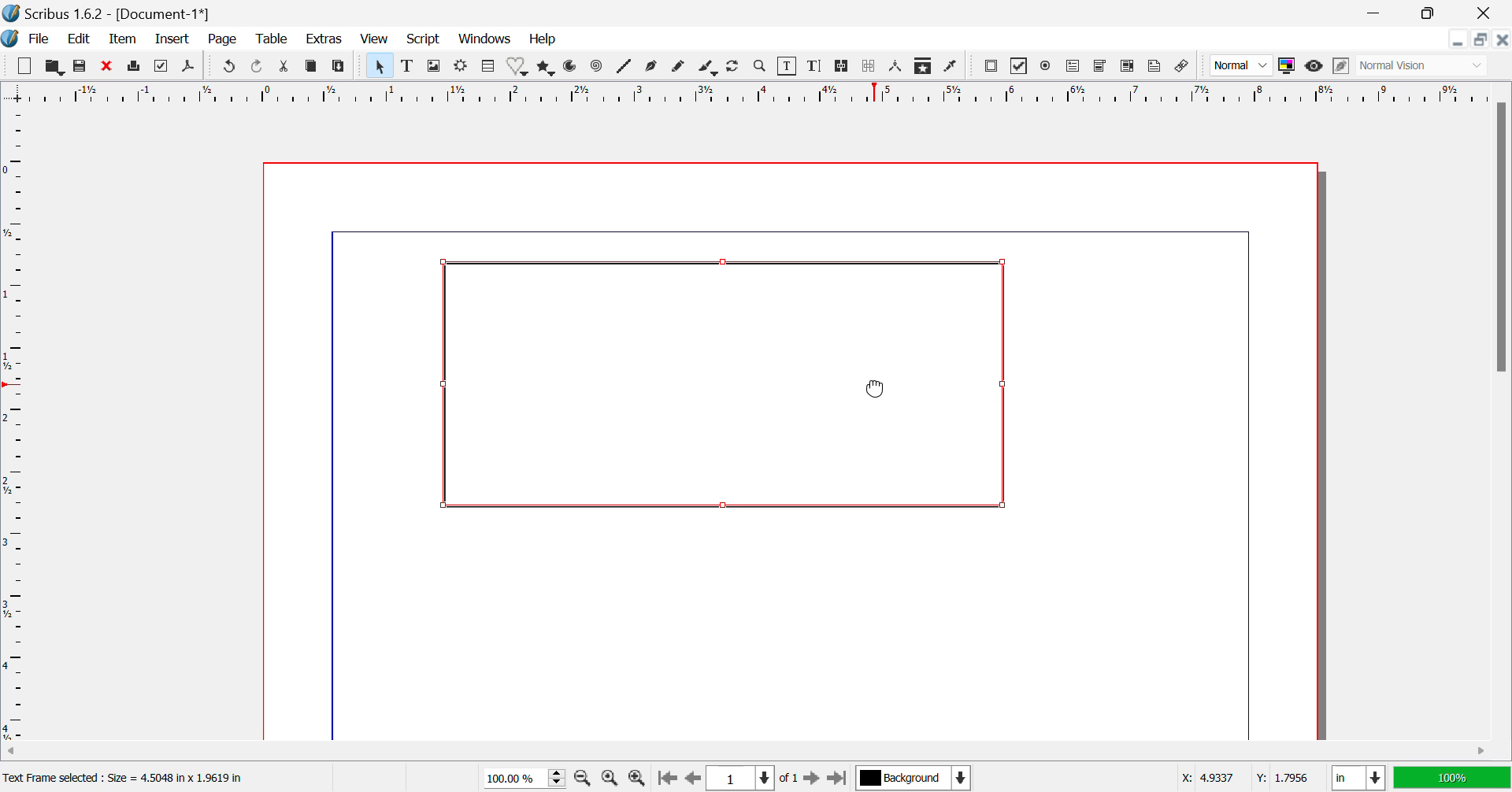 Image resolution: width=1512 pixels, height=792 pixels. What do you see at coordinates (1241, 68) in the screenshot?
I see `Normal` at bounding box center [1241, 68].